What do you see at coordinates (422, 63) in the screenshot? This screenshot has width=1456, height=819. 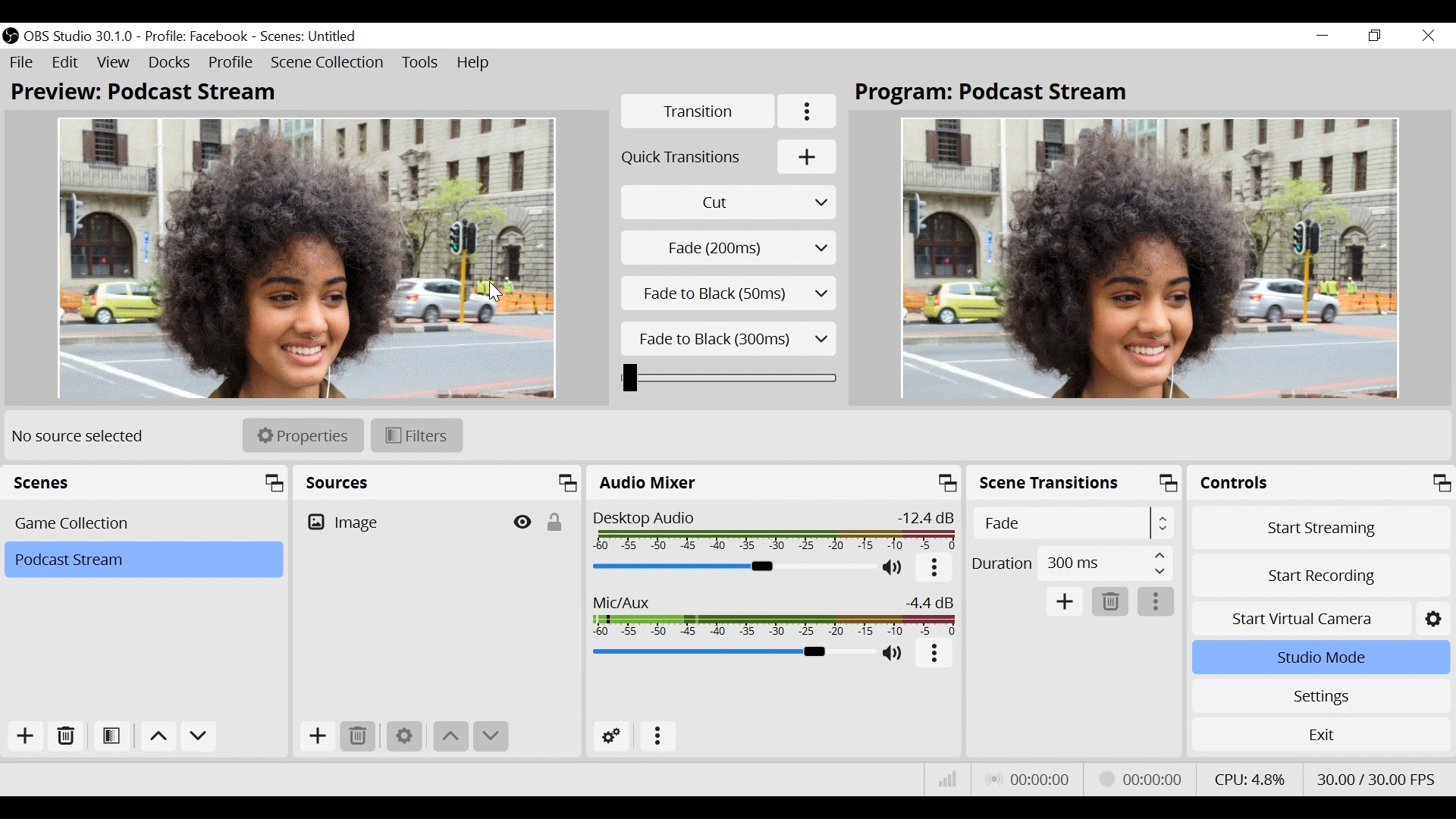 I see `Tools` at bounding box center [422, 63].